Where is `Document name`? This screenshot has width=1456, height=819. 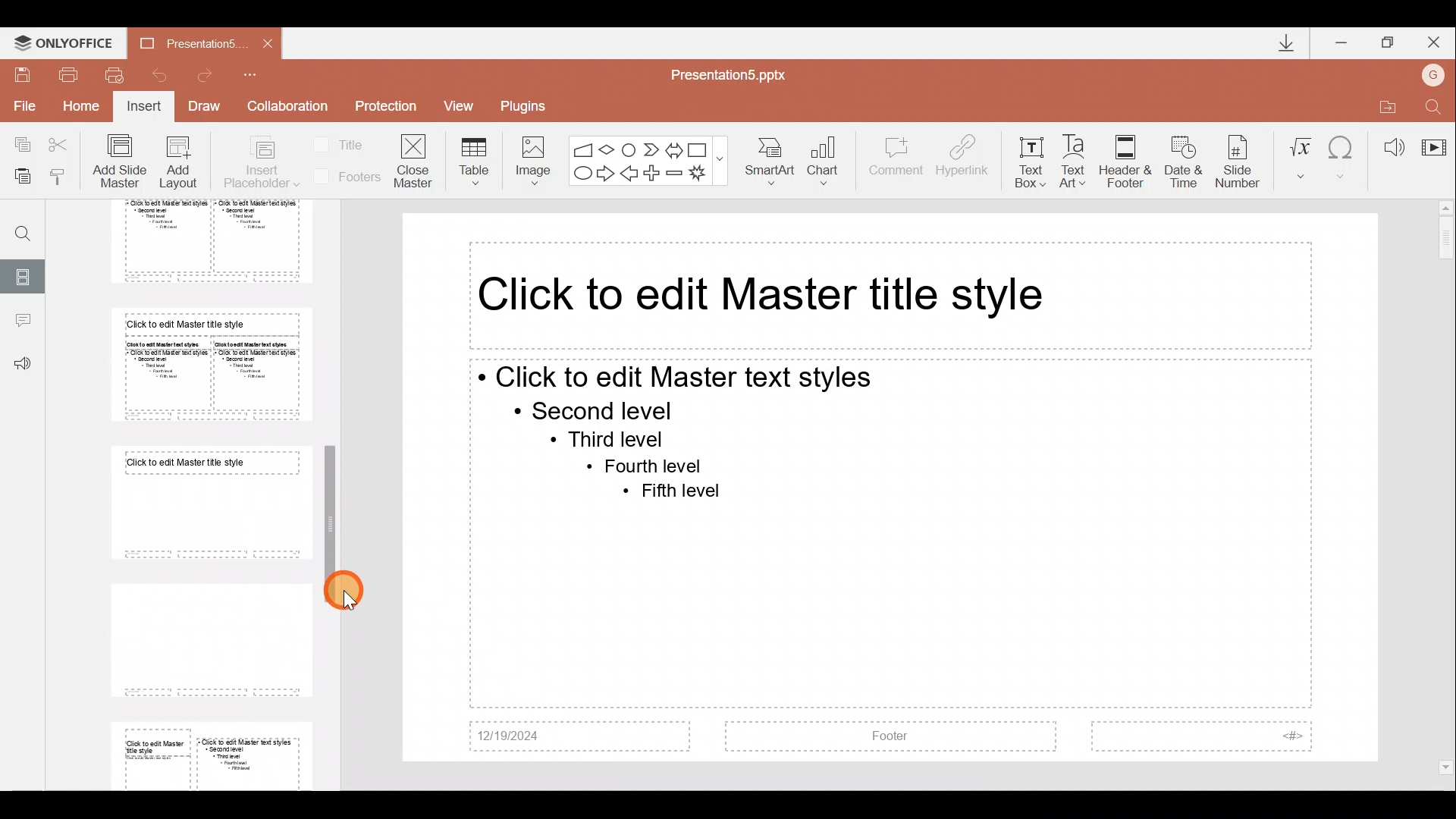 Document name is located at coordinates (737, 74).